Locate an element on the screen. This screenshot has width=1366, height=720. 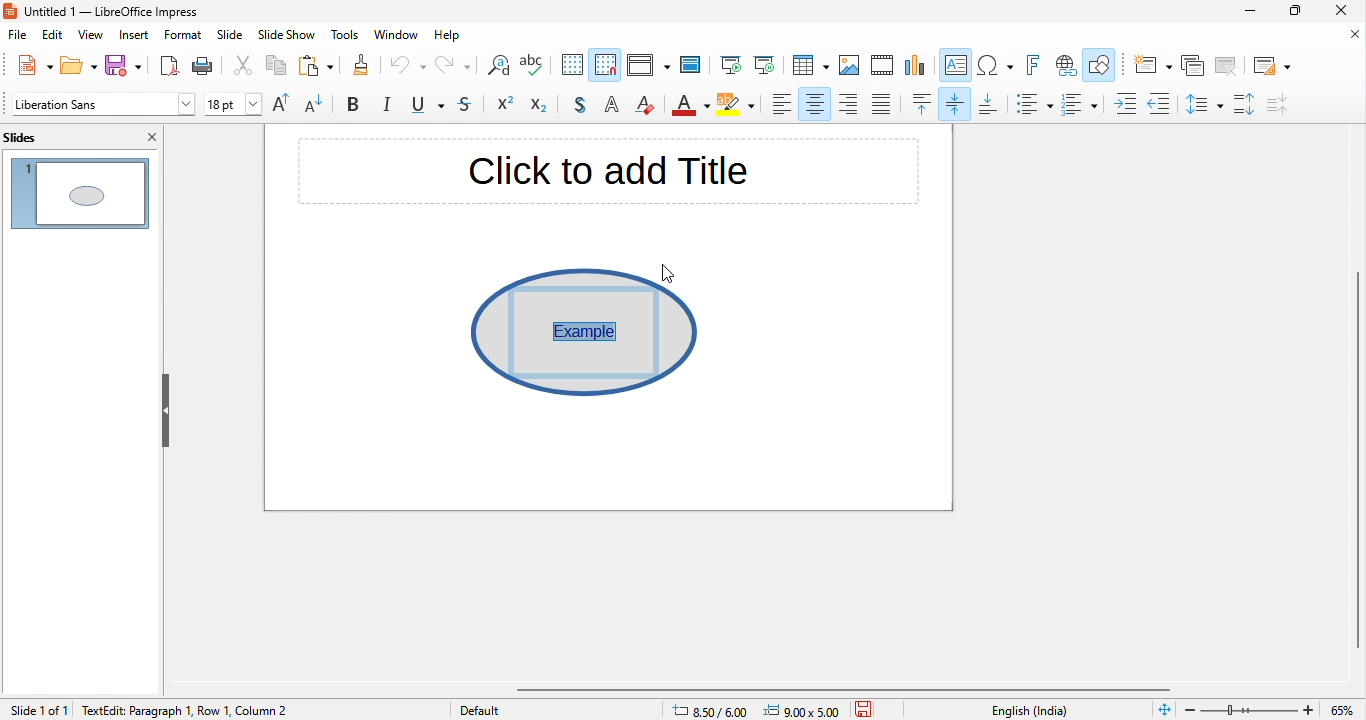
slide 1 of 1 is located at coordinates (38, 709).